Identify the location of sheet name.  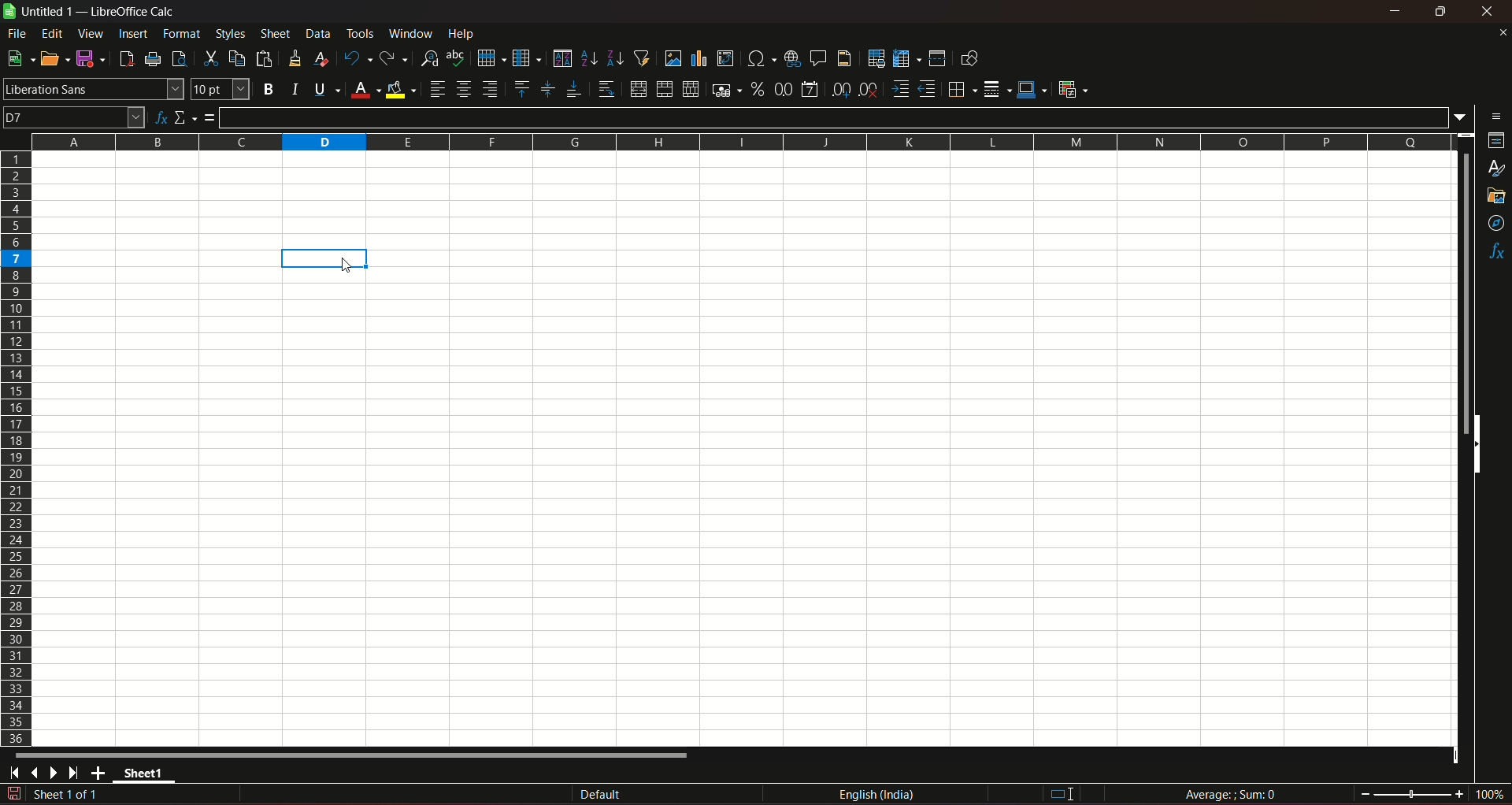
(148, 776).